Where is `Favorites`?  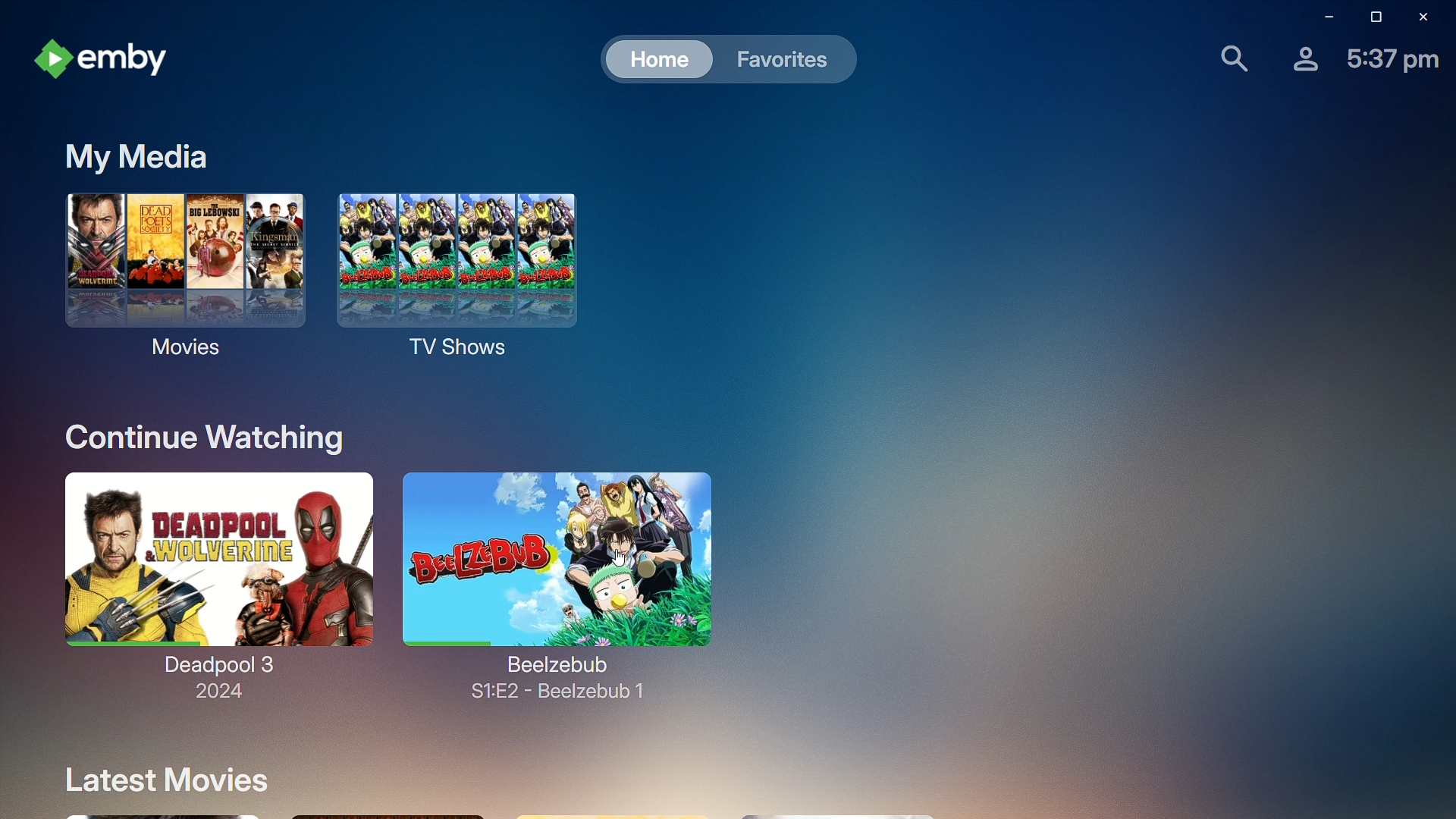
Favorites is located at coordinates (783, 61).